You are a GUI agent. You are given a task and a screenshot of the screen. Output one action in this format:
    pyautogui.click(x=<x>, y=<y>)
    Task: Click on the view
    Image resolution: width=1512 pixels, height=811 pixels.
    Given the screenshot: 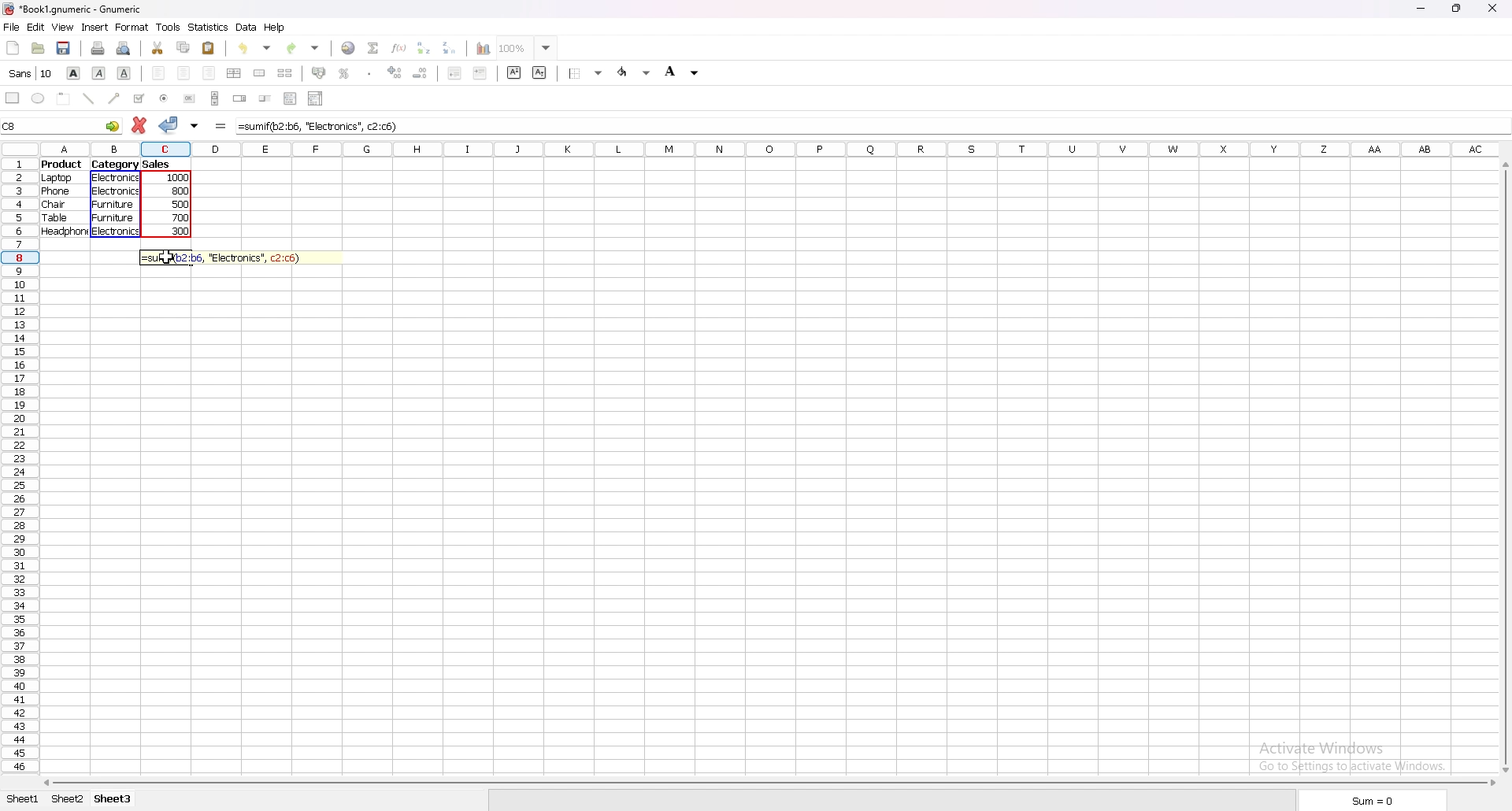 What is the action you would take?
    pyautogui.click(x=62, y=28)
    